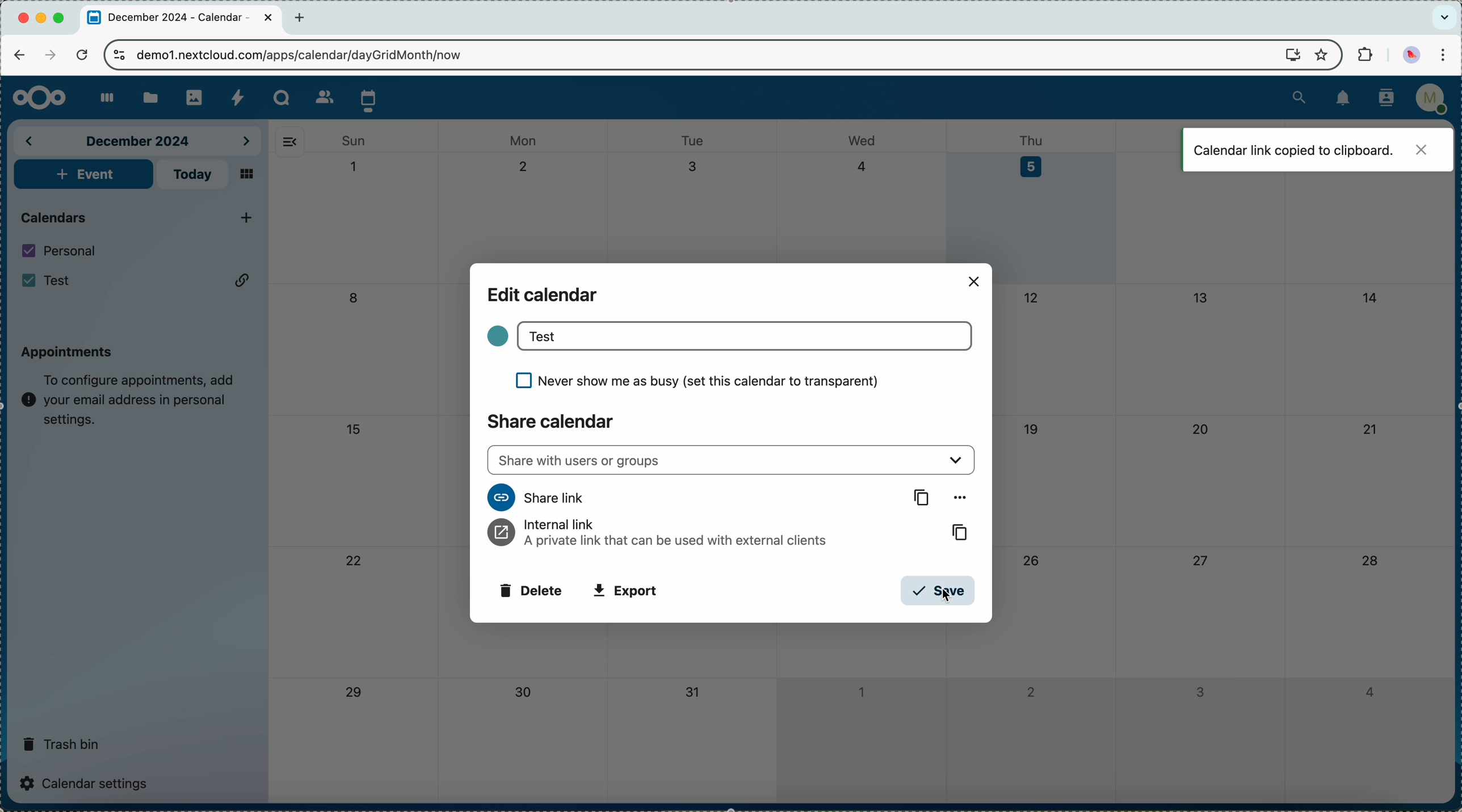  What do you see at coordinates (524, 137) in the screenshot?
I see `mon` at bounding box center [524, 137].